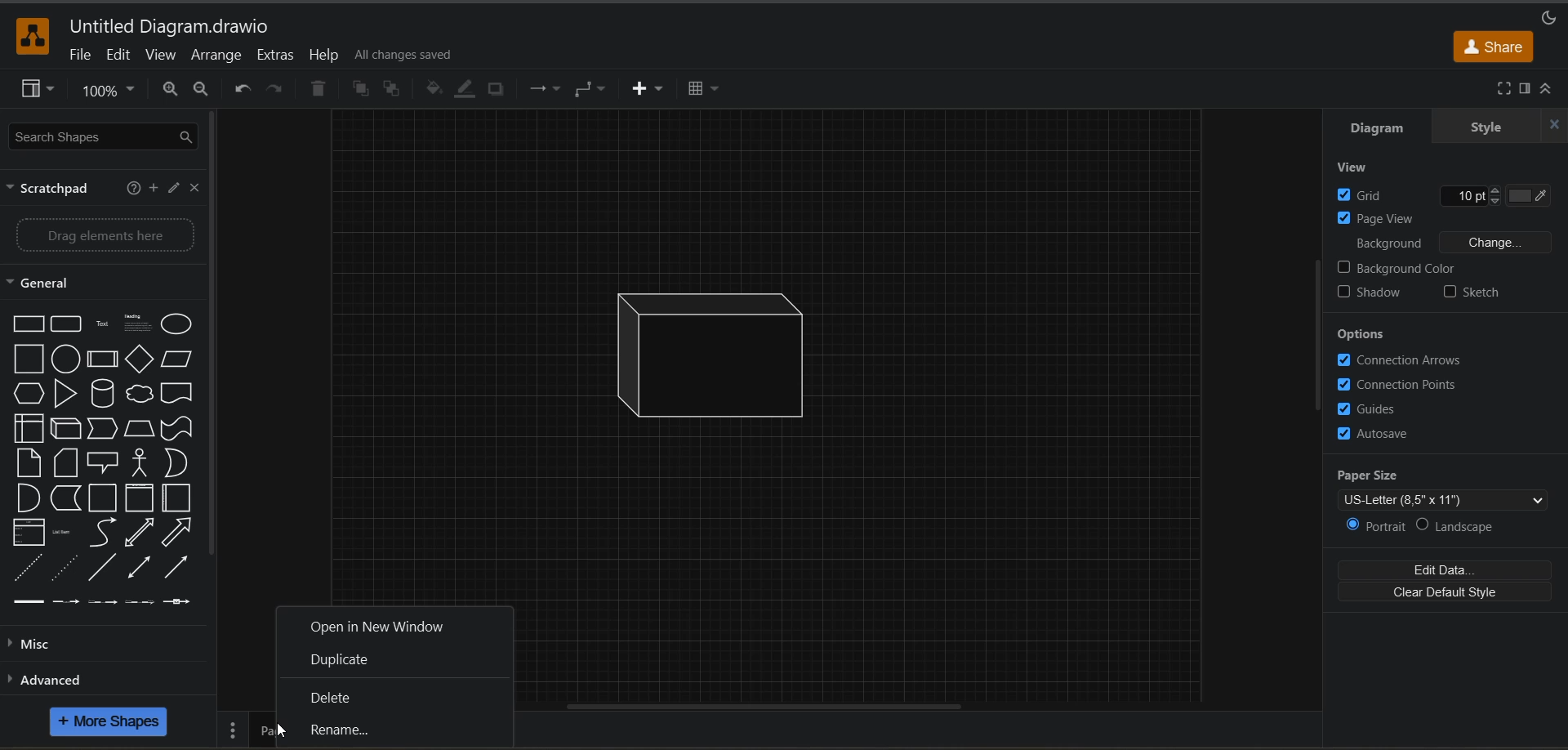  What do you see at coordinates (133, 190) in the screenshot?
I see `help` at bounding box center [133, 190].